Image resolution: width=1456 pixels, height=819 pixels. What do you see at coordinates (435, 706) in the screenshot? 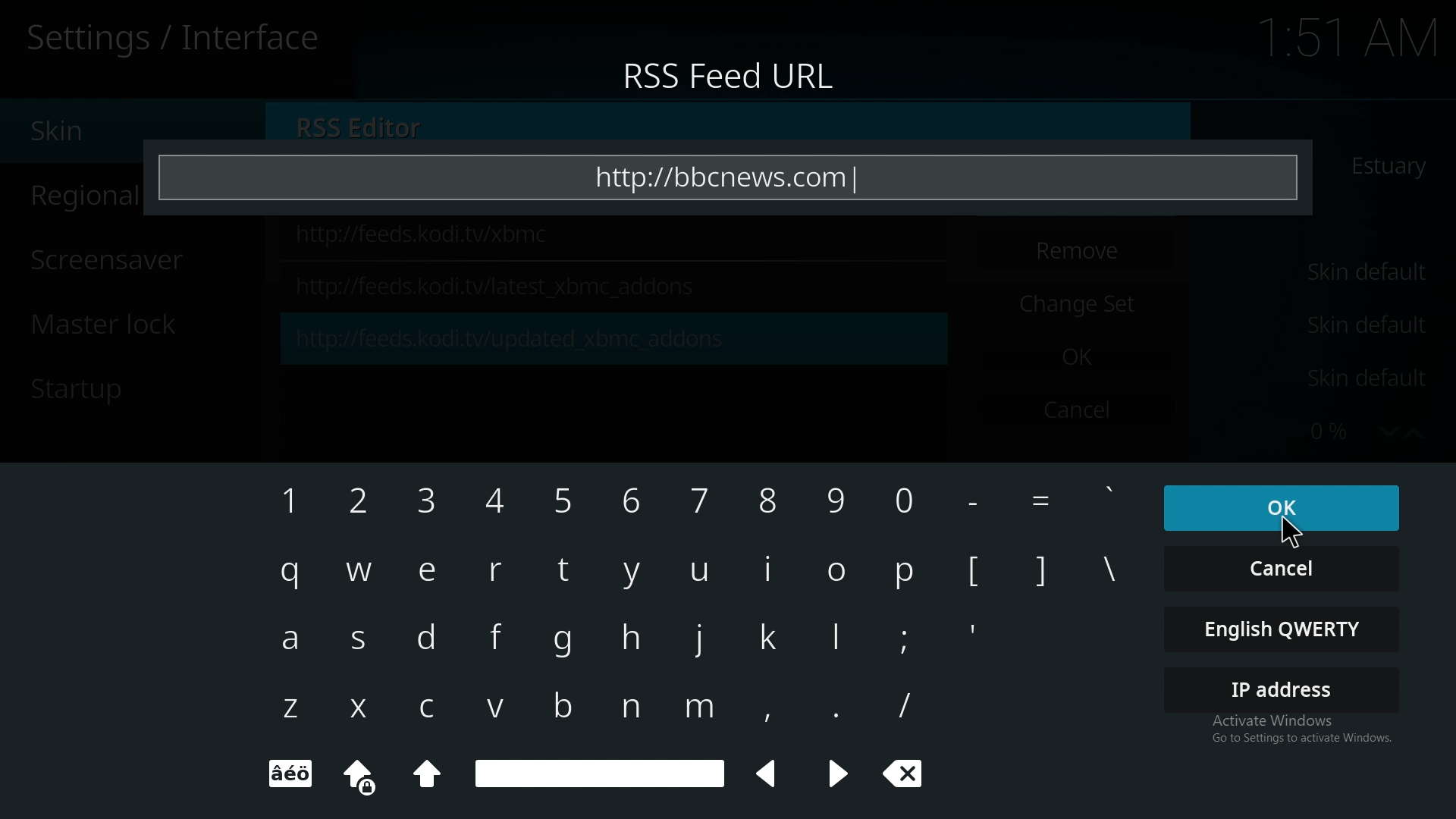
I see `c` at bounding box center [435, 706].